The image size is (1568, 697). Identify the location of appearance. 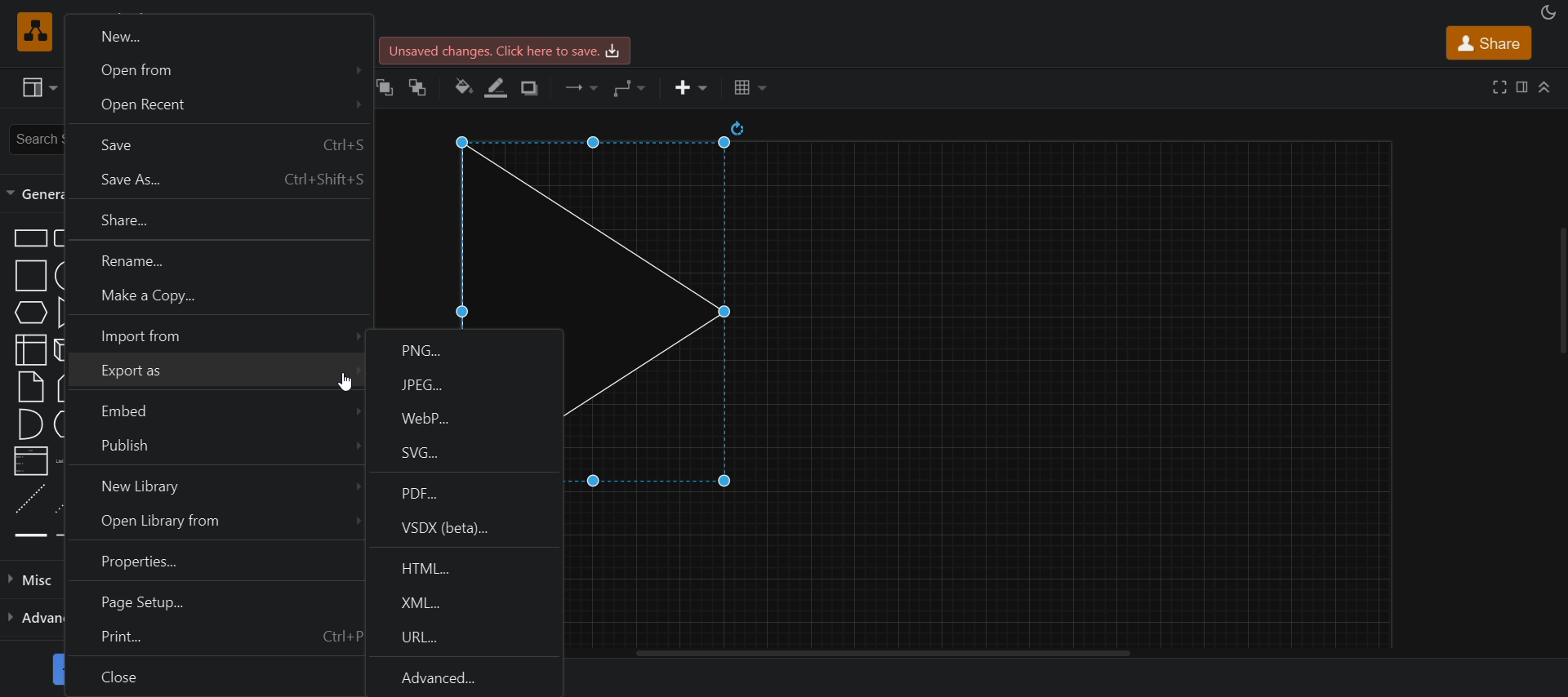
(1546, 12).